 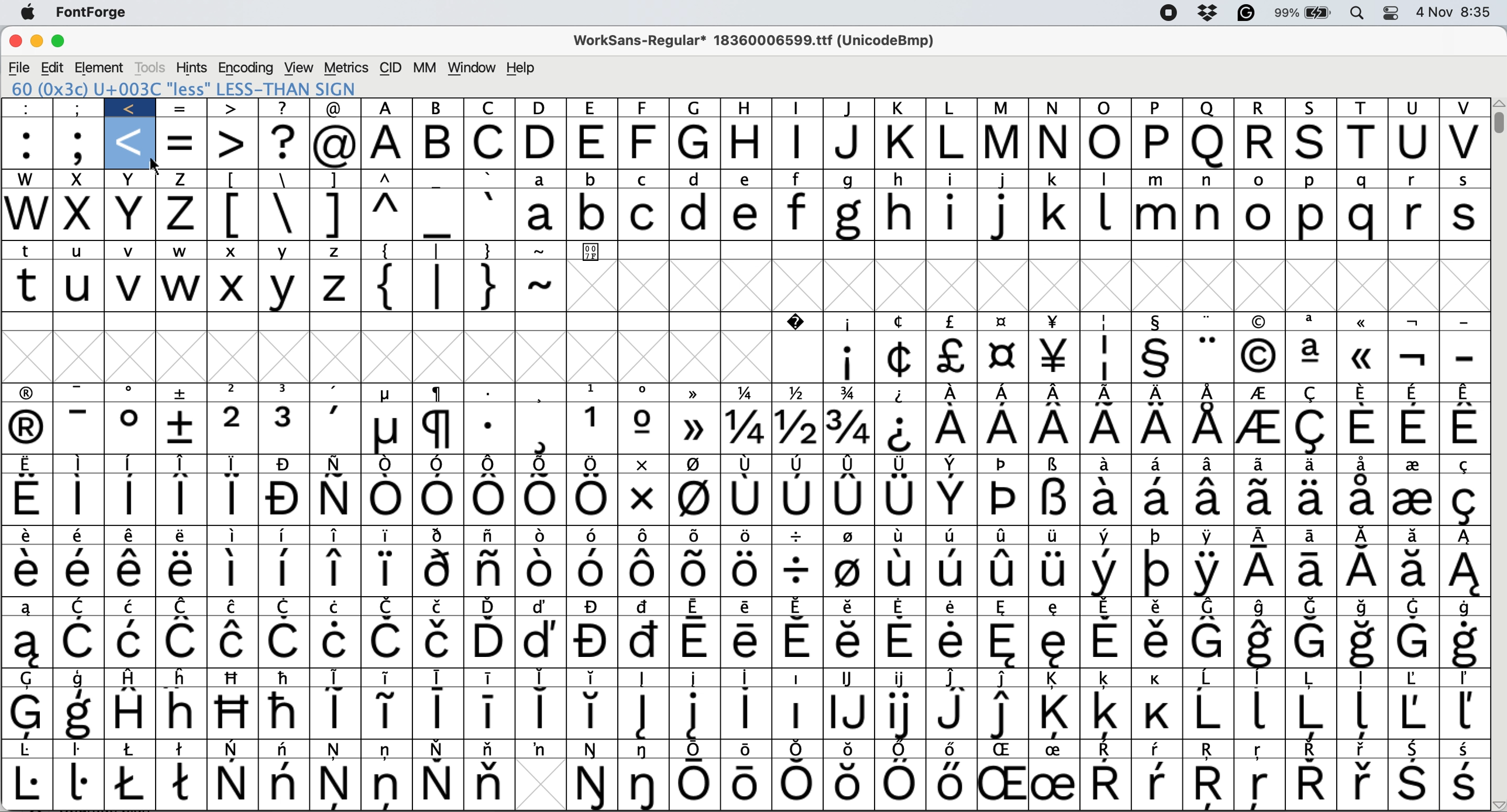 What do you see at coordinates (439, 143) in the screenshot?
I see `b` at bounding box center [439, 143].